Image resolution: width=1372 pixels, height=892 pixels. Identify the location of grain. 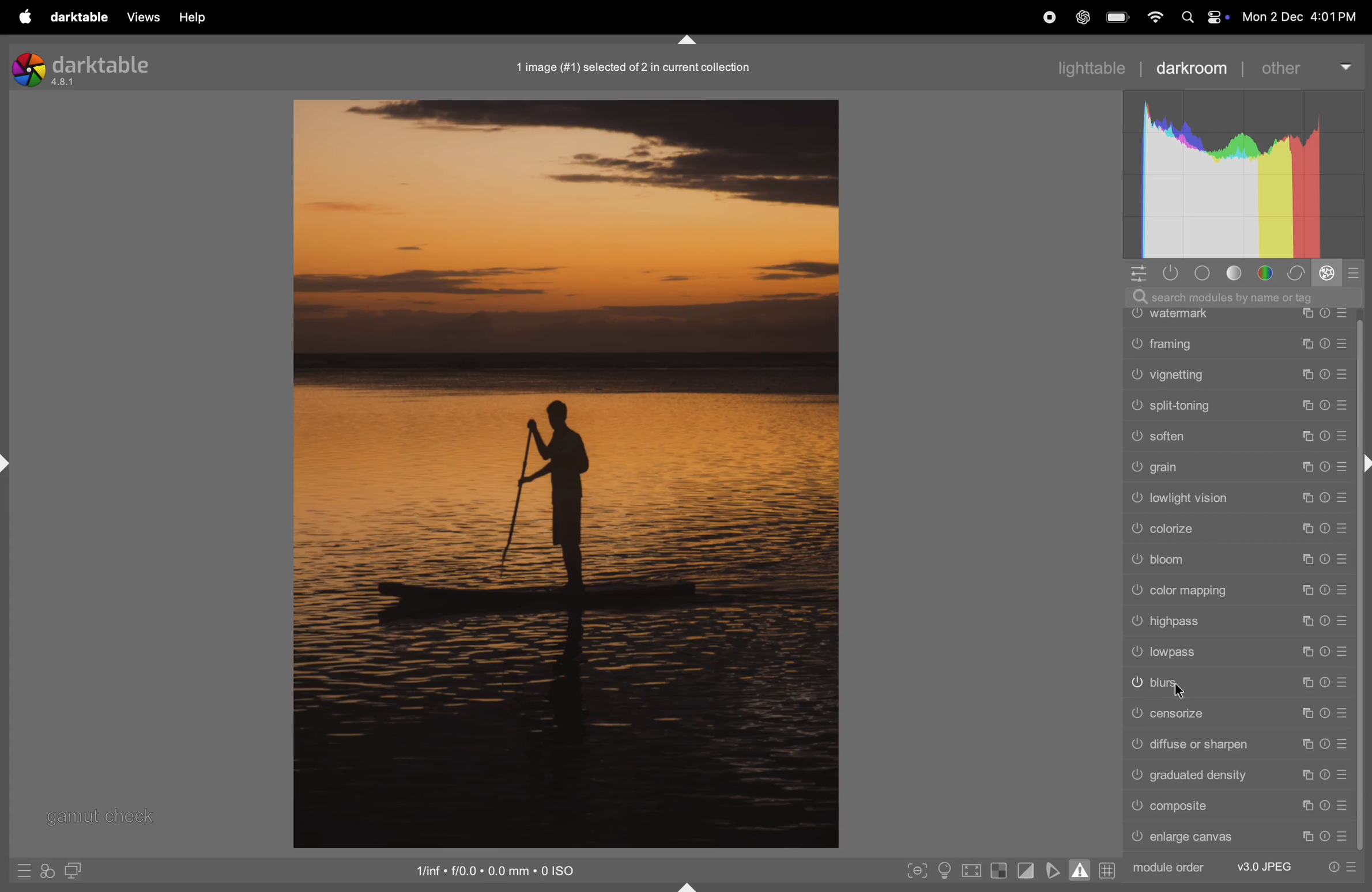
(1238, 468).